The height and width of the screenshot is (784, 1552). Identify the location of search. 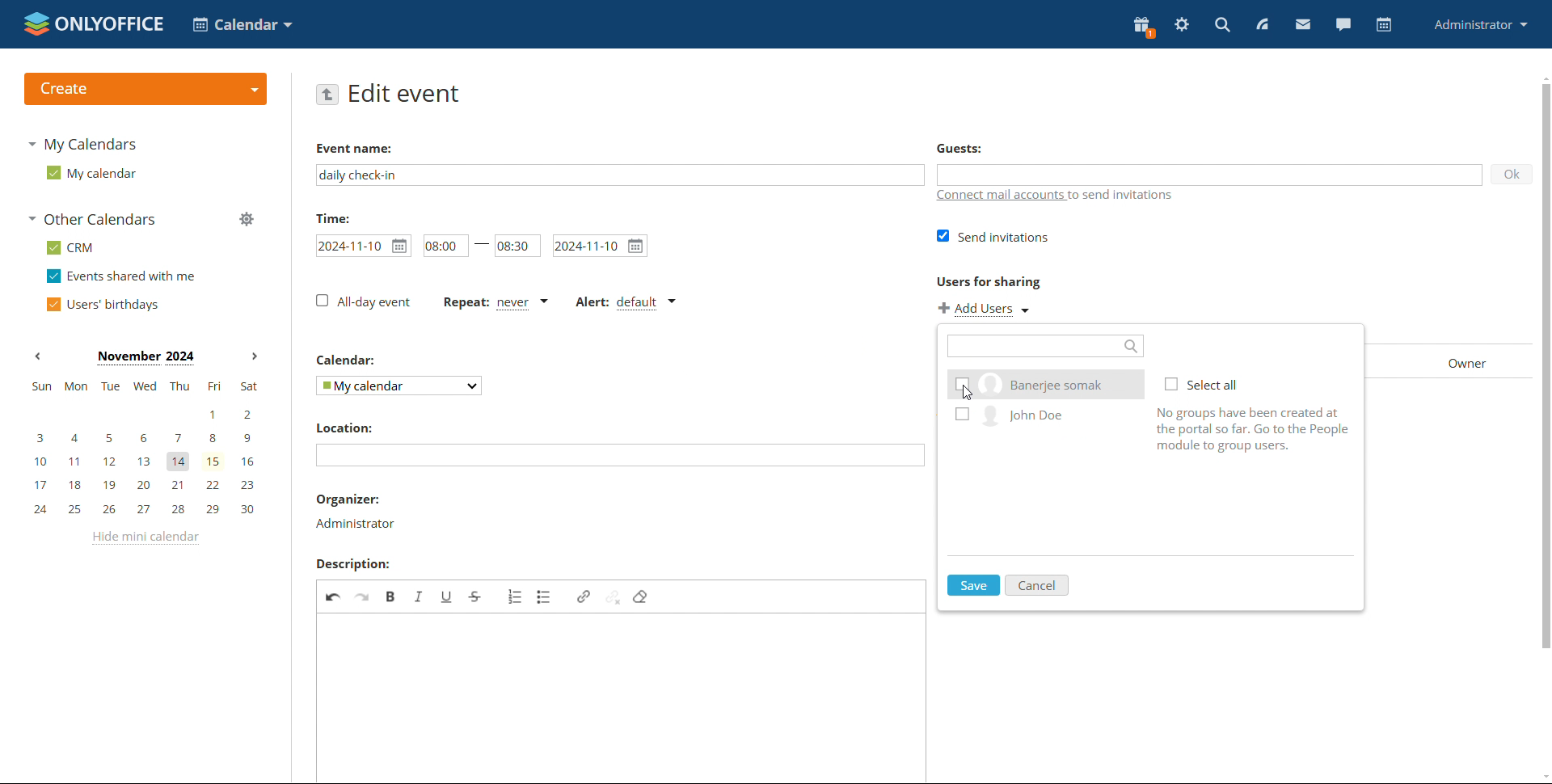
(1222, 24).